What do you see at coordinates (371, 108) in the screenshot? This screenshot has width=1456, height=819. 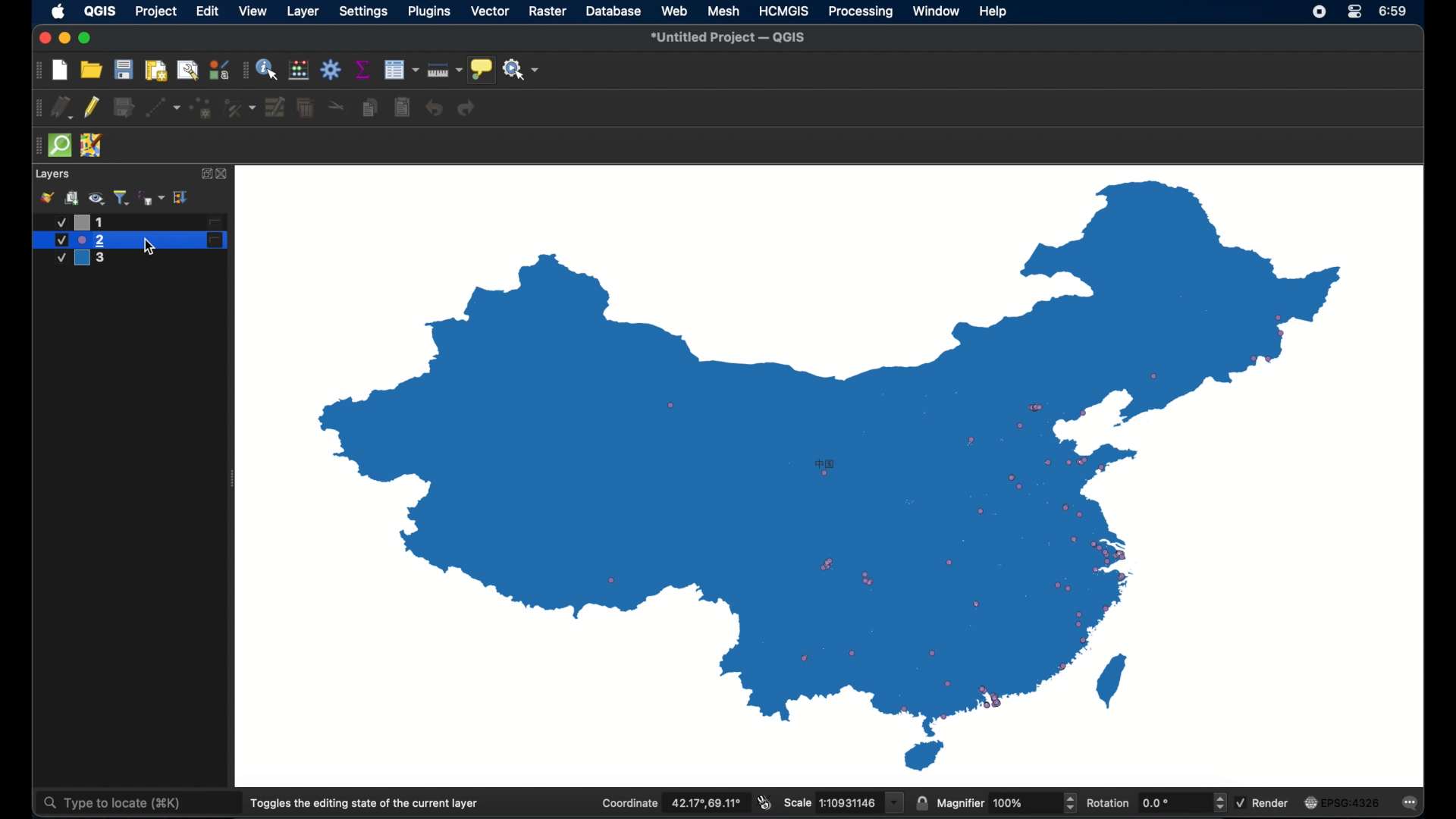 I see `copy ` at bounding box center [371, 108].